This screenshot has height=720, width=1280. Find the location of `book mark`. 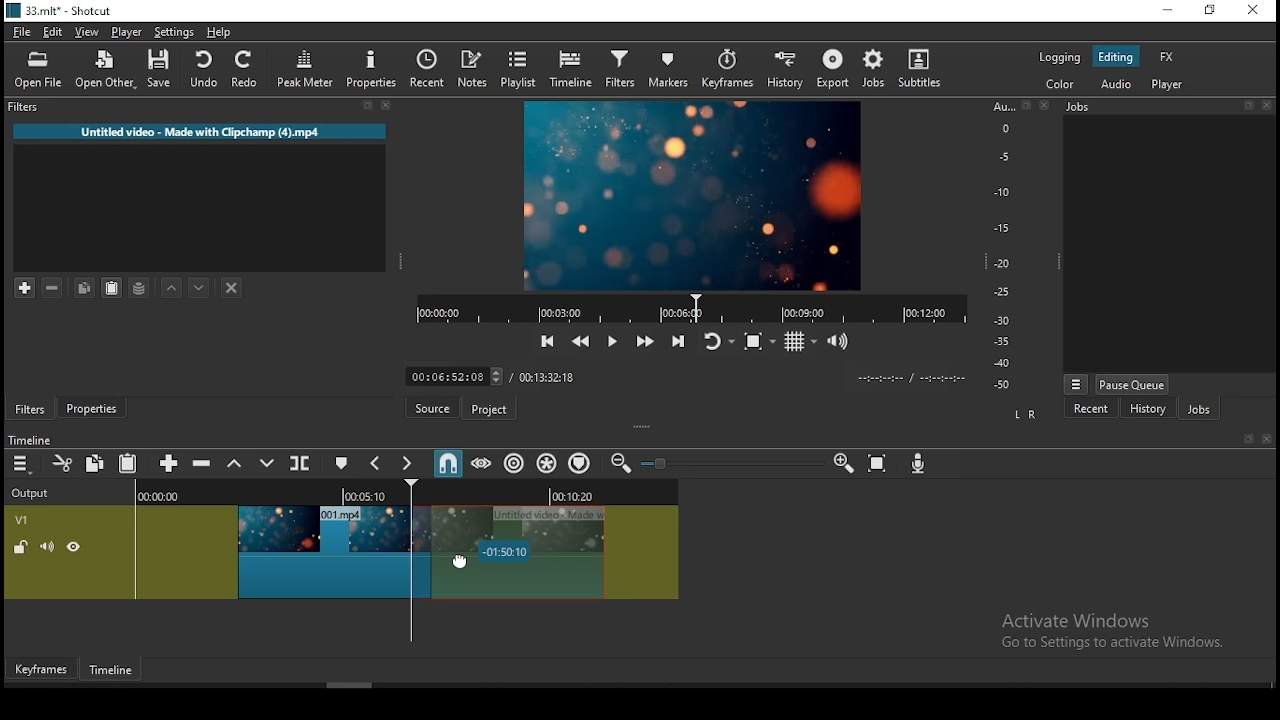

book mark is located at coordinates (1245, 440).